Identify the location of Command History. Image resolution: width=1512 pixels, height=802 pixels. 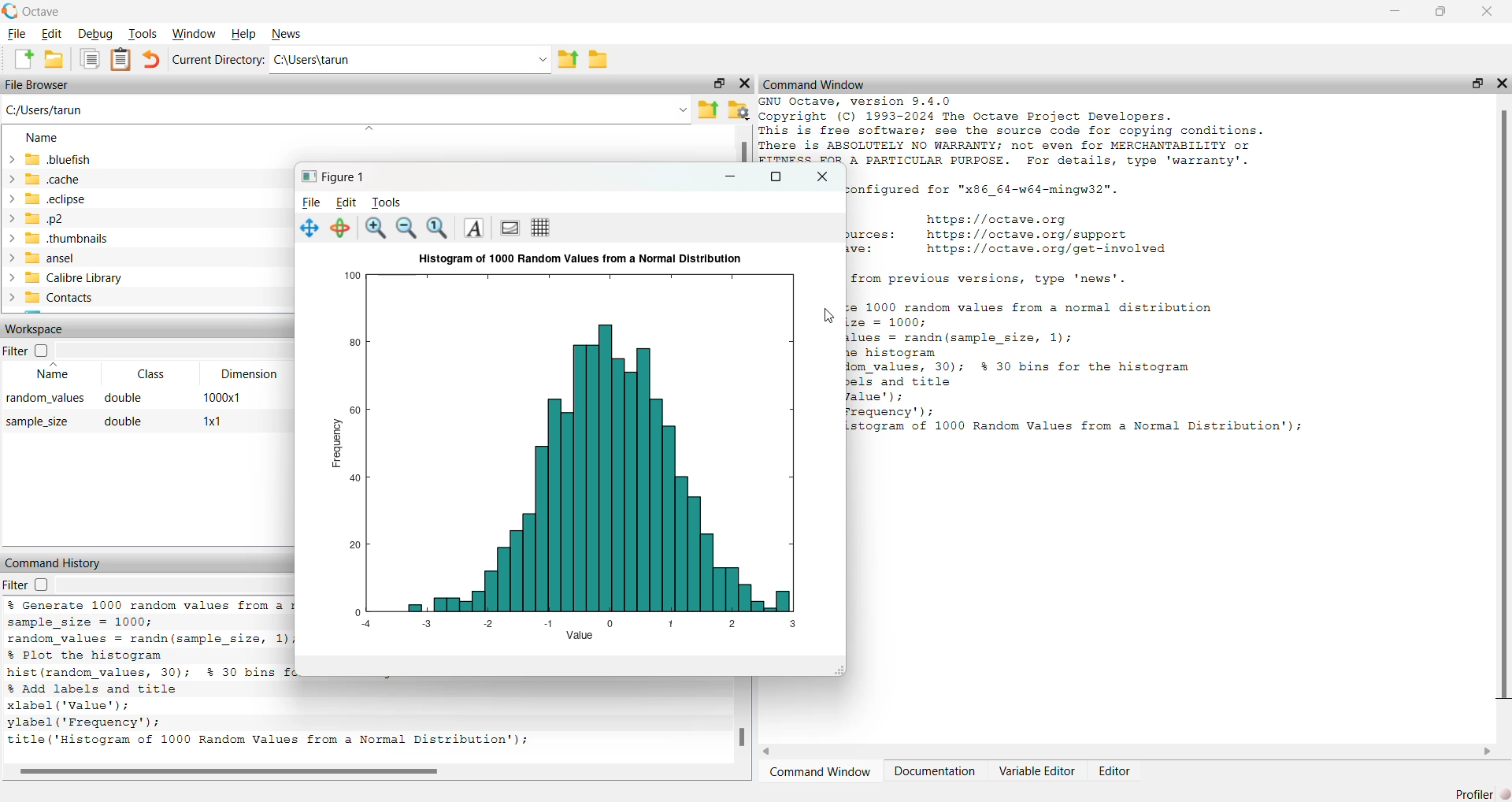
(54, 563).